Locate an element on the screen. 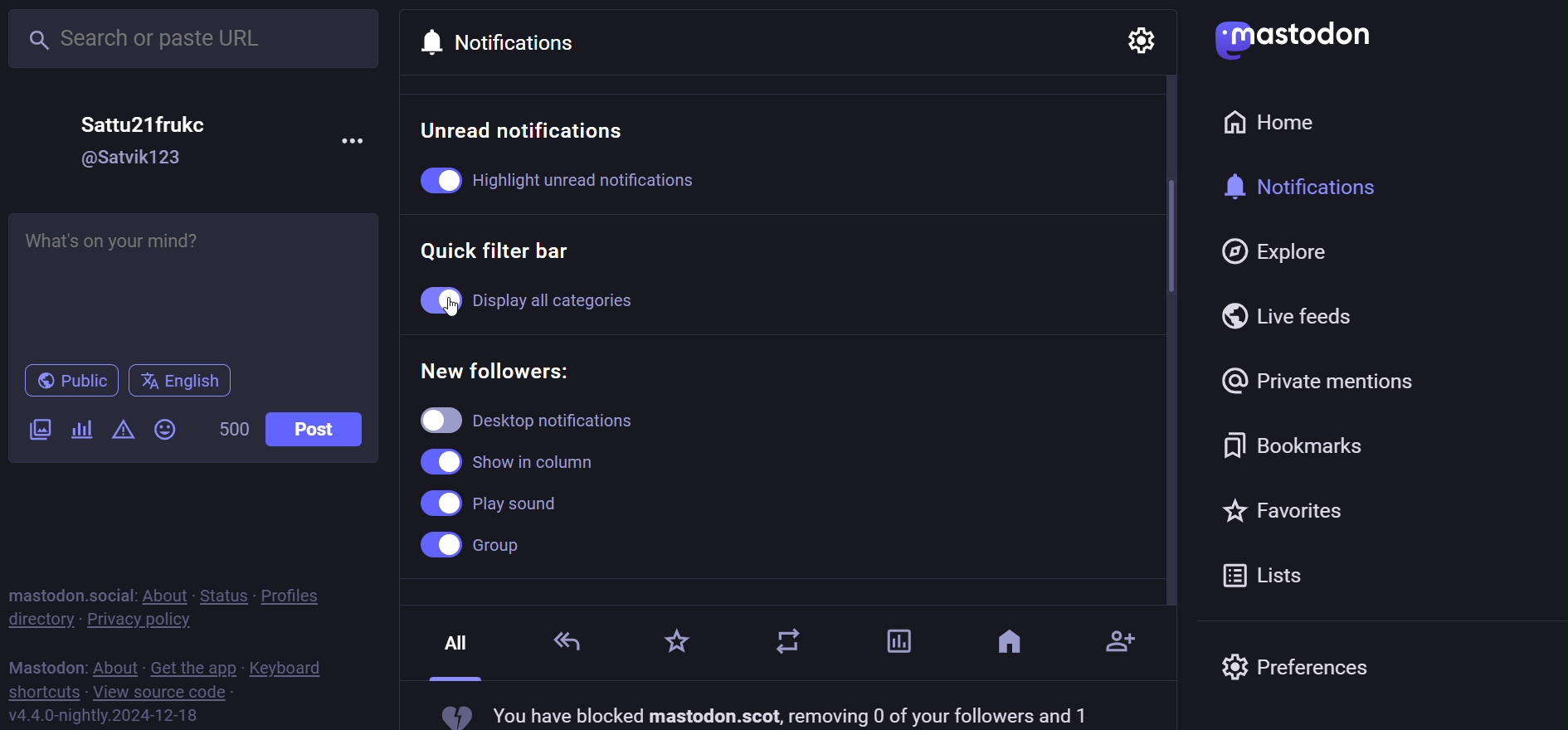  show in column is located at coordinates (515, 460).